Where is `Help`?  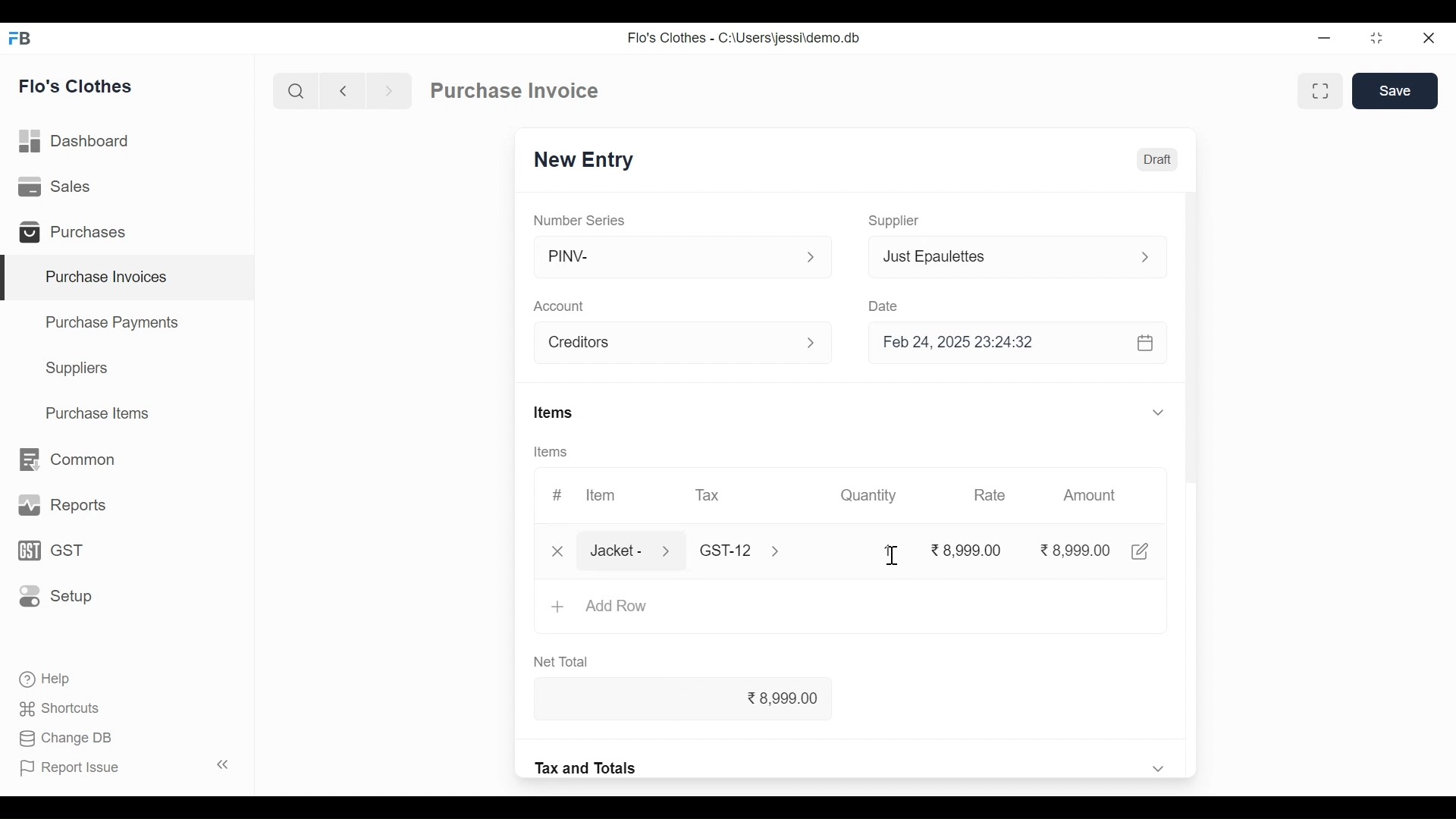 Help is located at coordinates (50, 679).